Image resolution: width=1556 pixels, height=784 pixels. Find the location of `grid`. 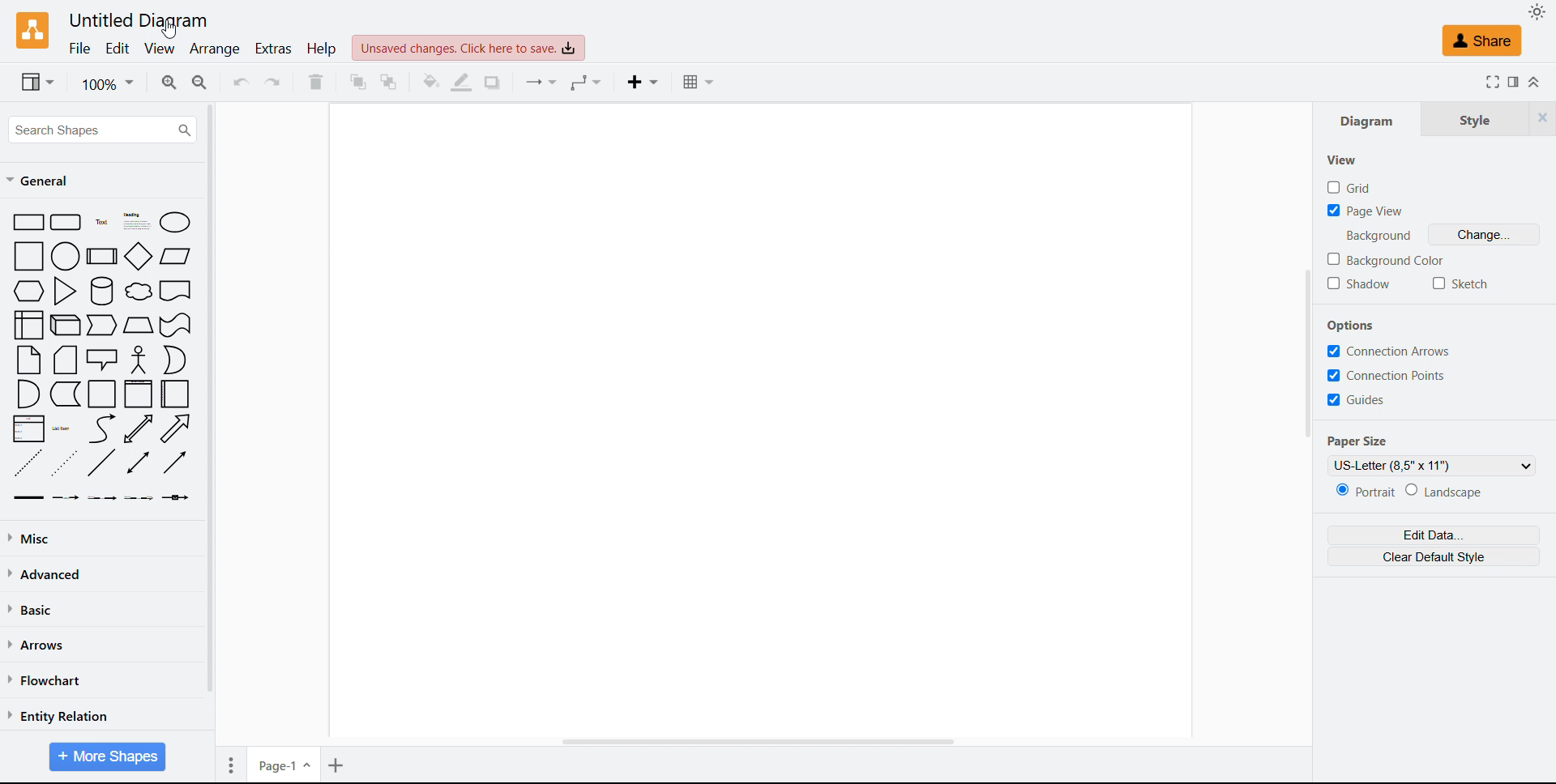

grid is located at coordinates (1349, 187).